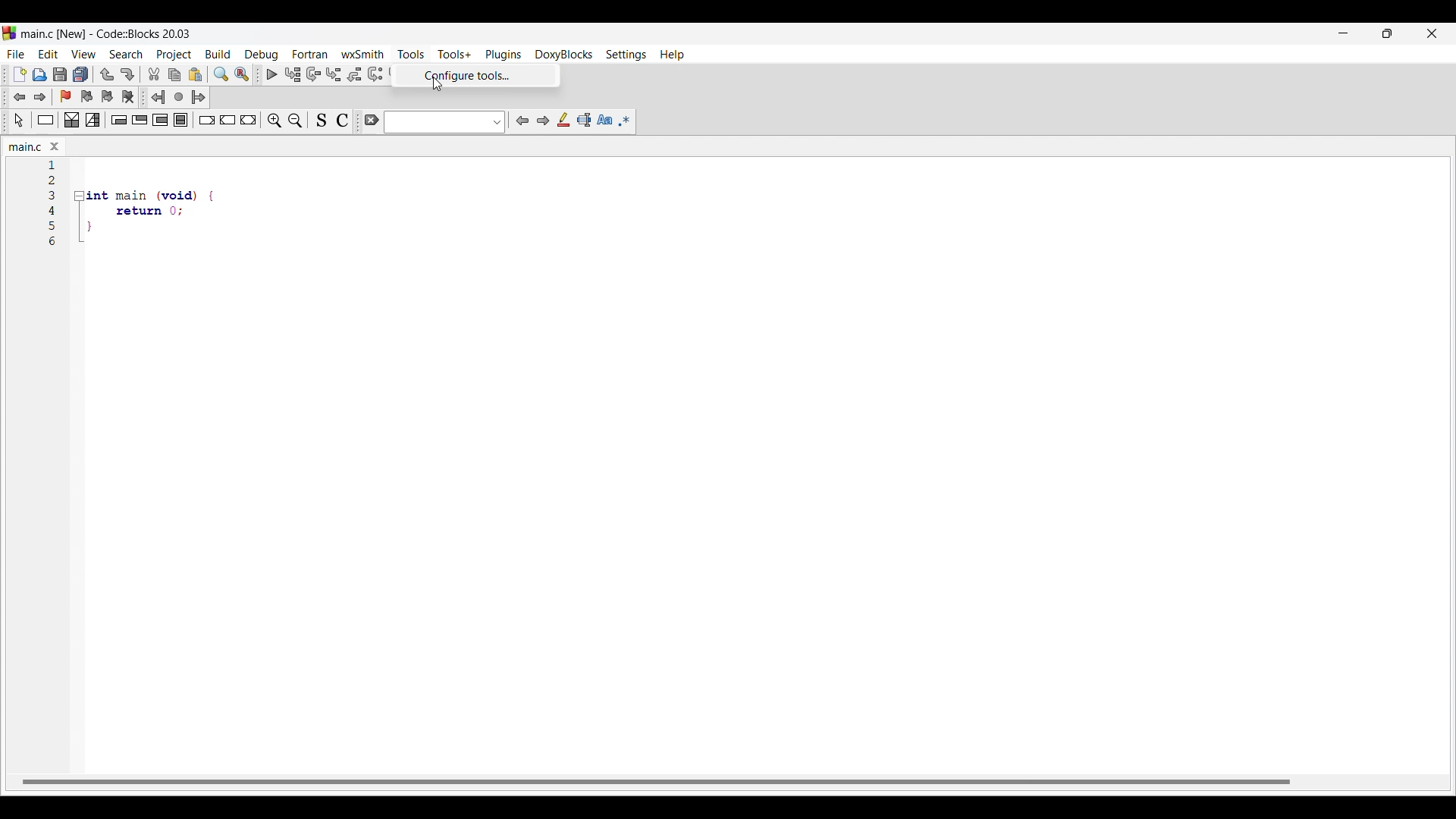  What do you see at coordinates (221, 74) in the screenshot?
I see `Find` at bounding box center [221, 74].